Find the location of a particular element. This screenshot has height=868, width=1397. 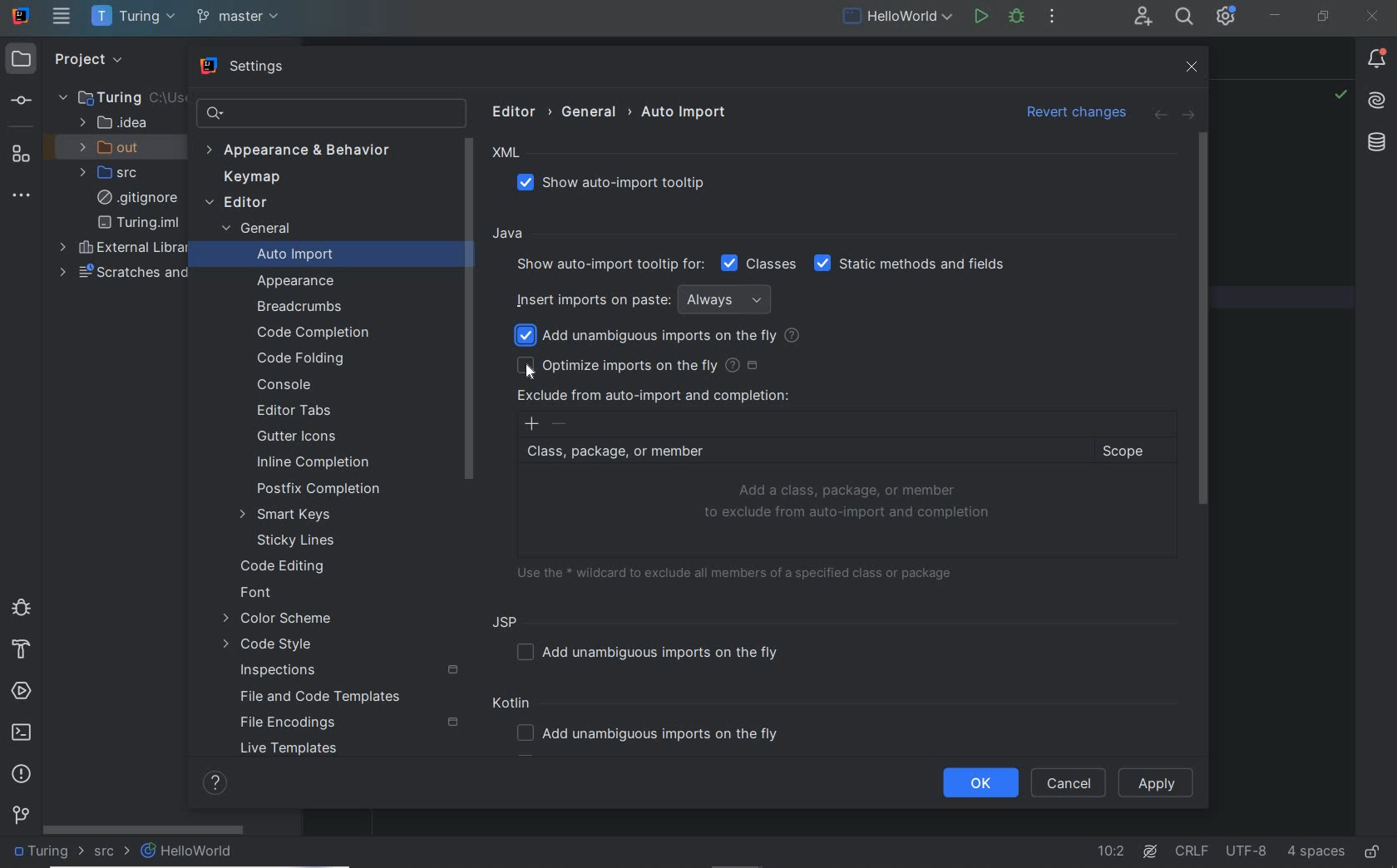

LIVE TEMPLATES is located at coordinates (295, 752).